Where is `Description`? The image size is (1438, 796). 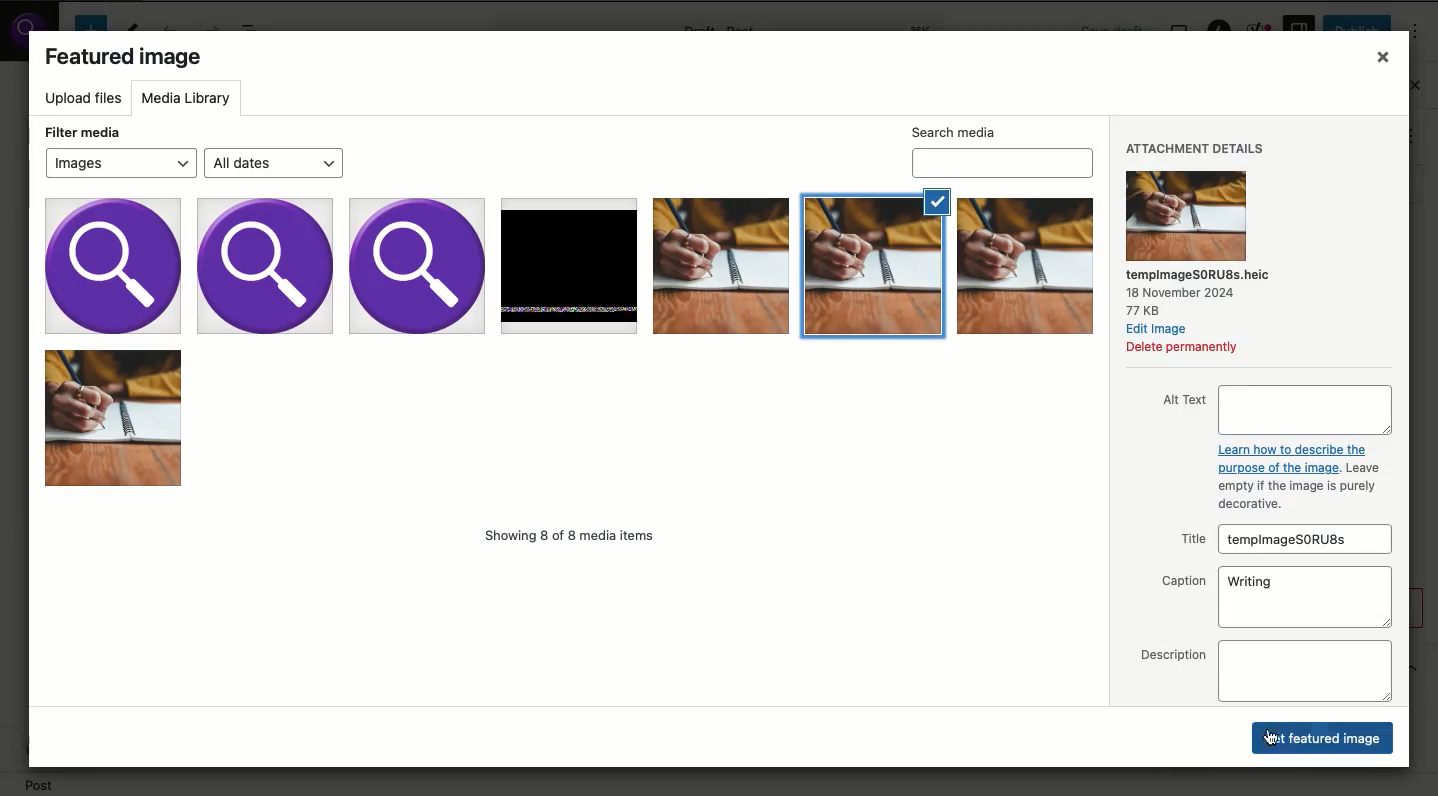
Description is located at coordinates (1304, 672).